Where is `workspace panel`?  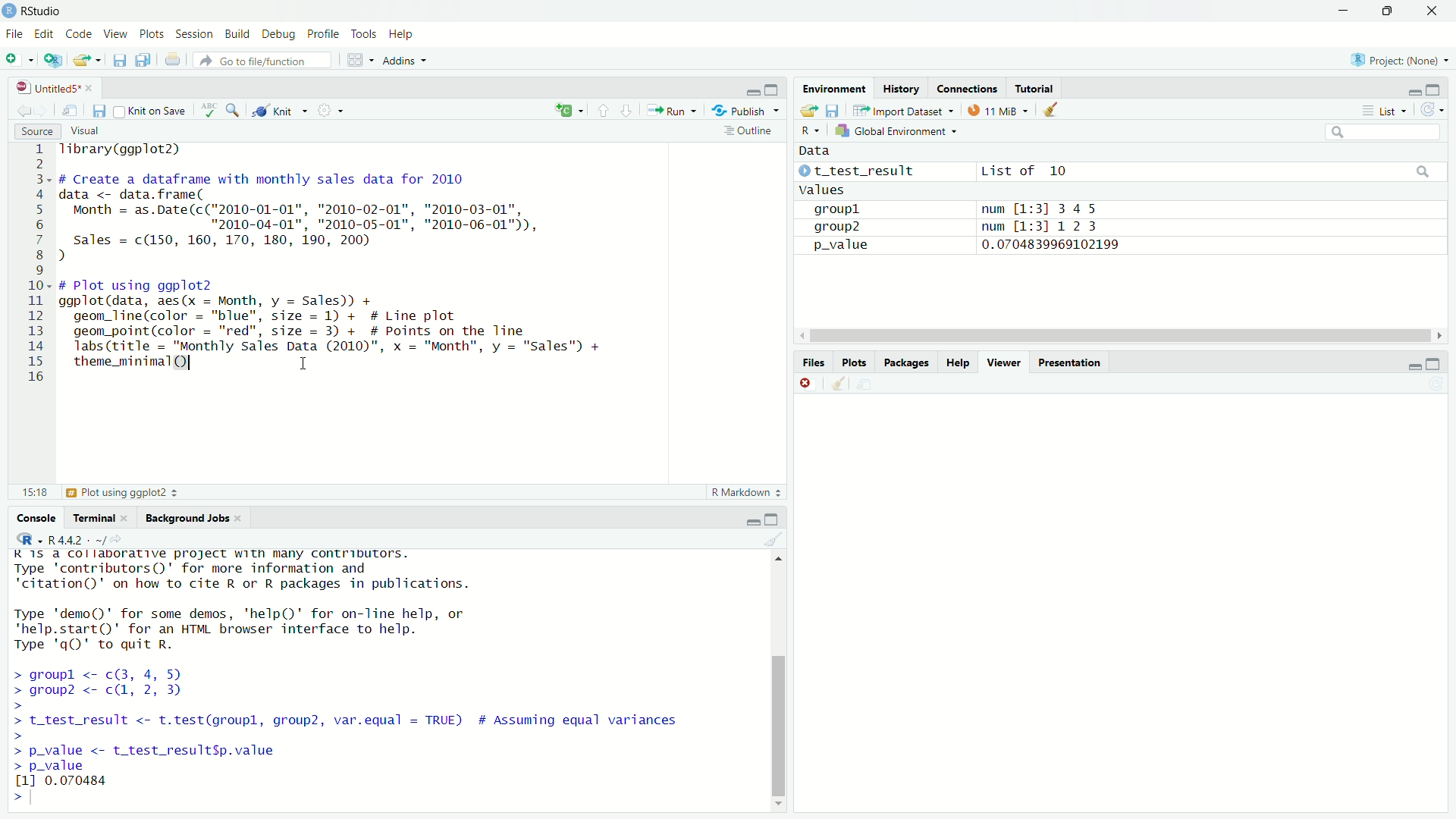
workspace panel is located at coordinates (362, 59).